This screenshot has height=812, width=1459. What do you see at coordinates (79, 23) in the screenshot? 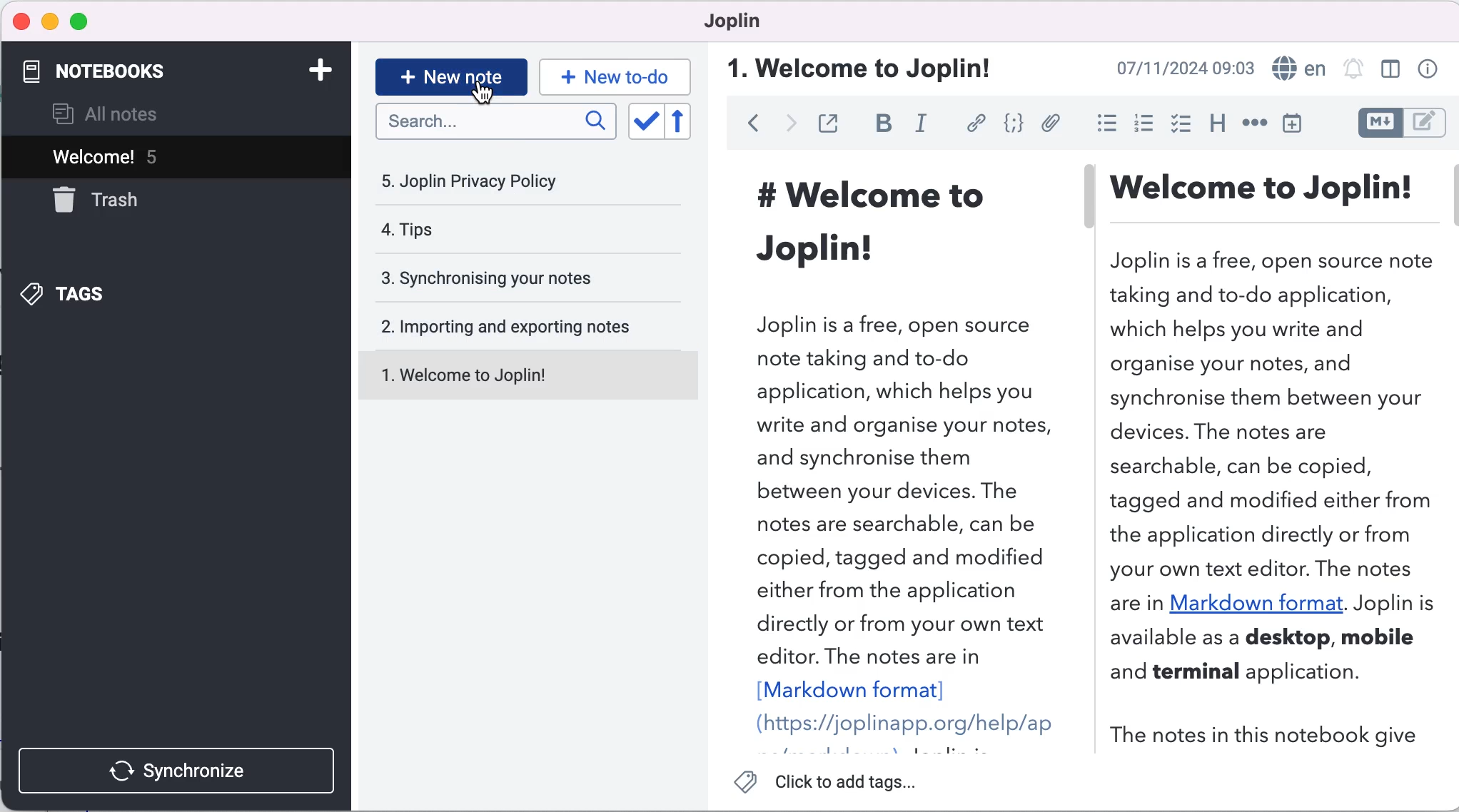
I see `maximize` at bounding box center [79, 23].